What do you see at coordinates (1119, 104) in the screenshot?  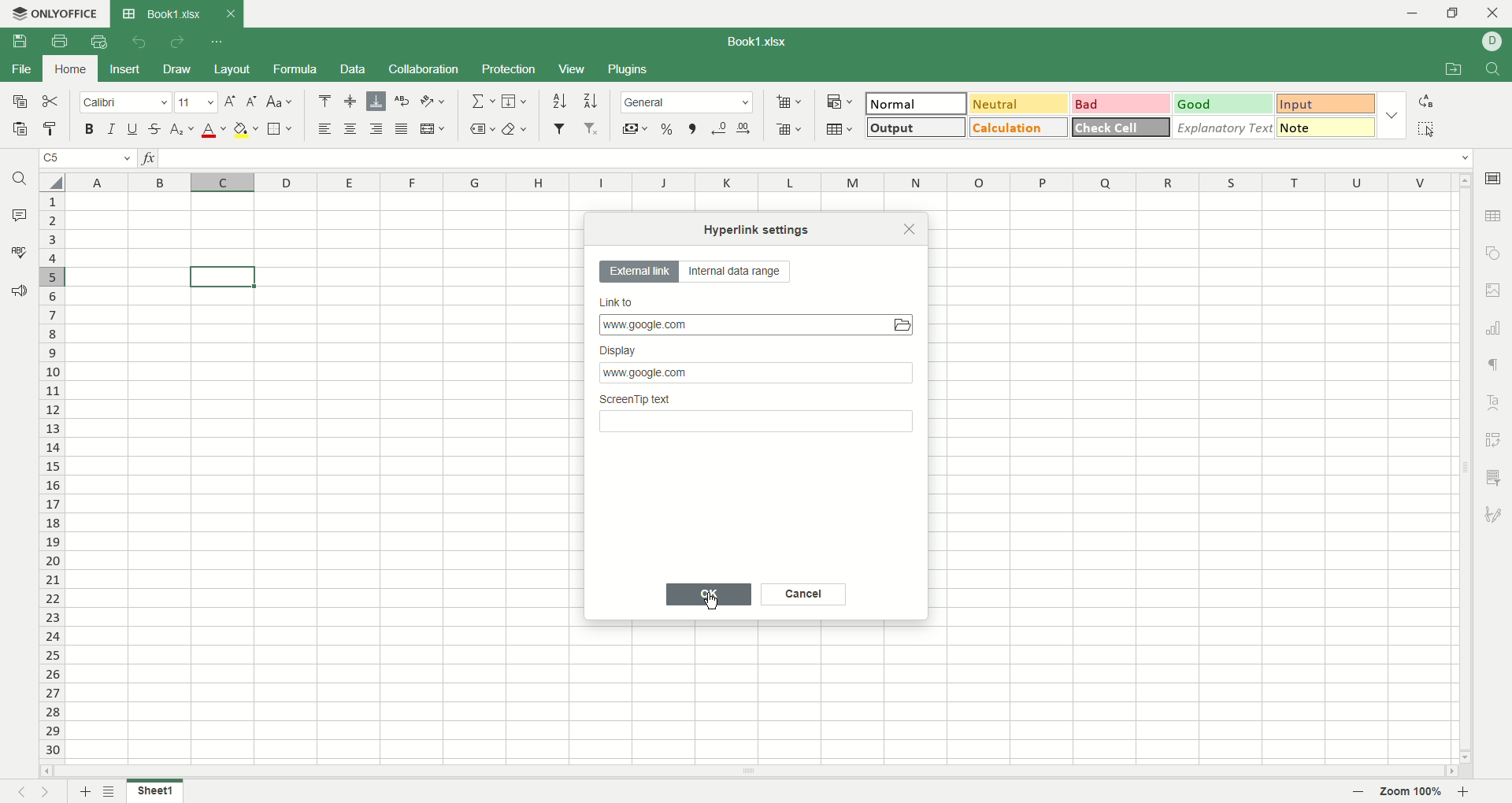 I see `bad` at bounding box center [1119, 104].